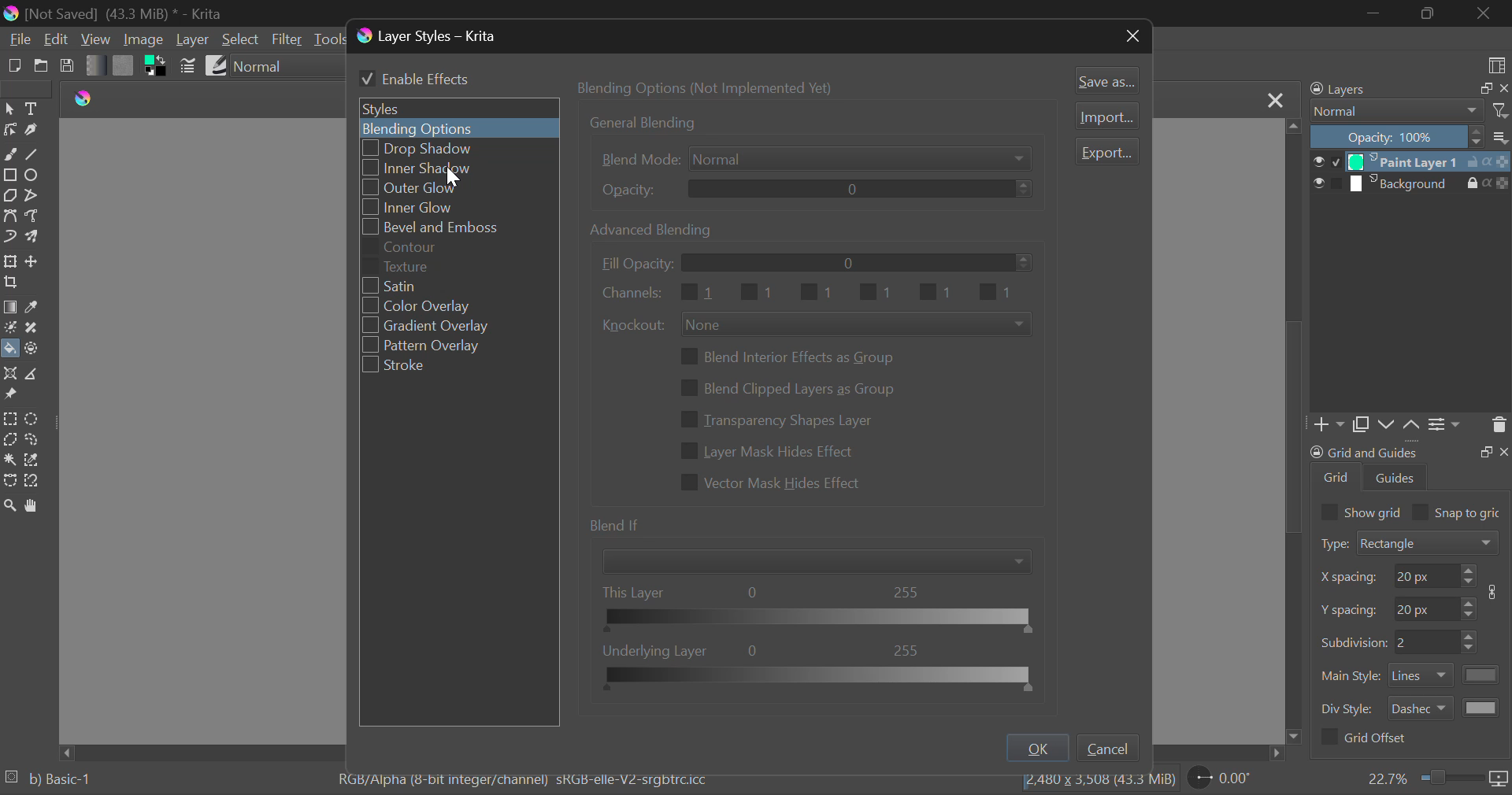 The width and height of the screenshot is (1512, 795). What do you see at coordinates (80, 99) in the screenshot?
I see `logo` at bounding box center [80, 99].